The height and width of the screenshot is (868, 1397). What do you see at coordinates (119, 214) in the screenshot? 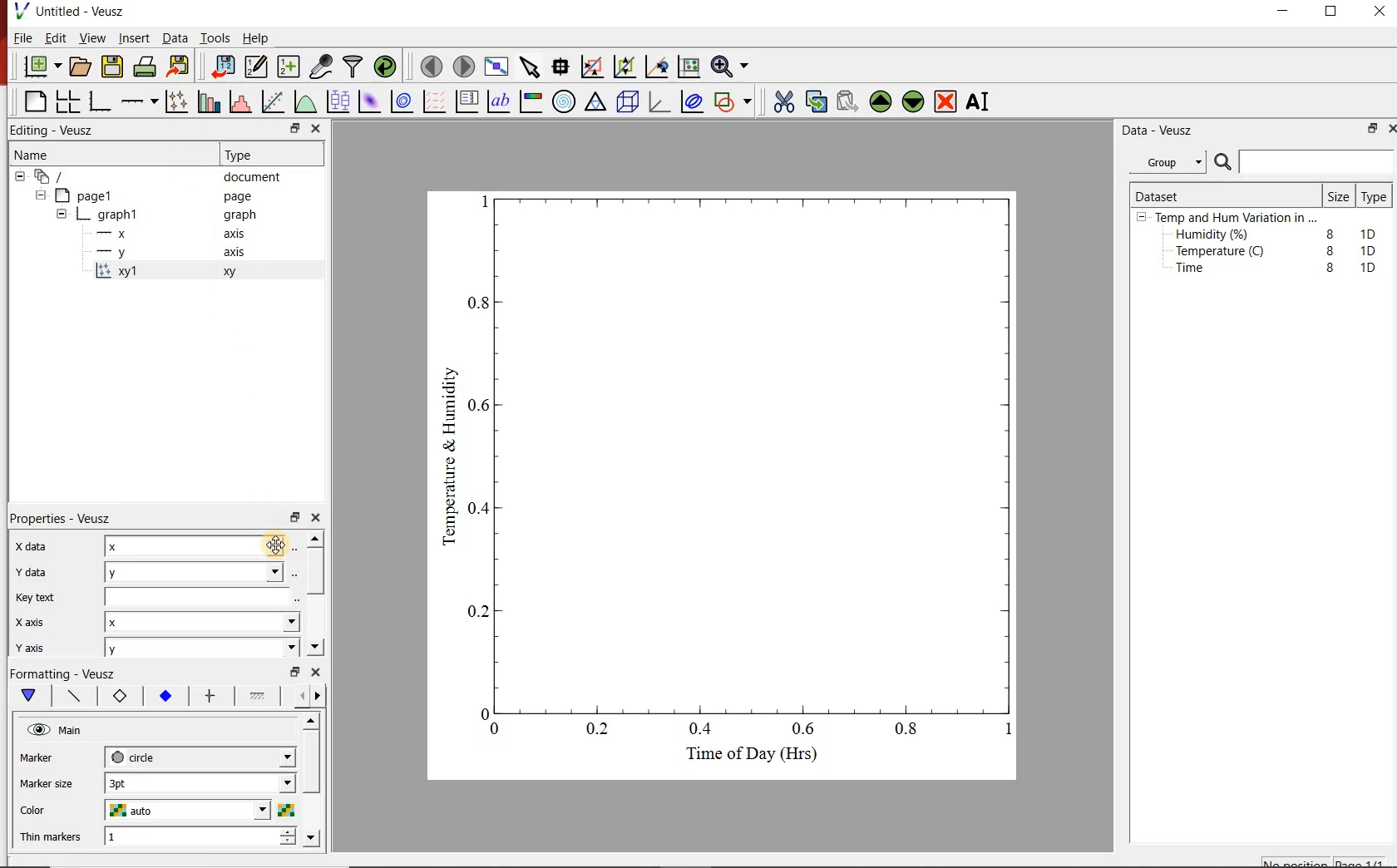
I see `graph` at bounding box center [119, 214].